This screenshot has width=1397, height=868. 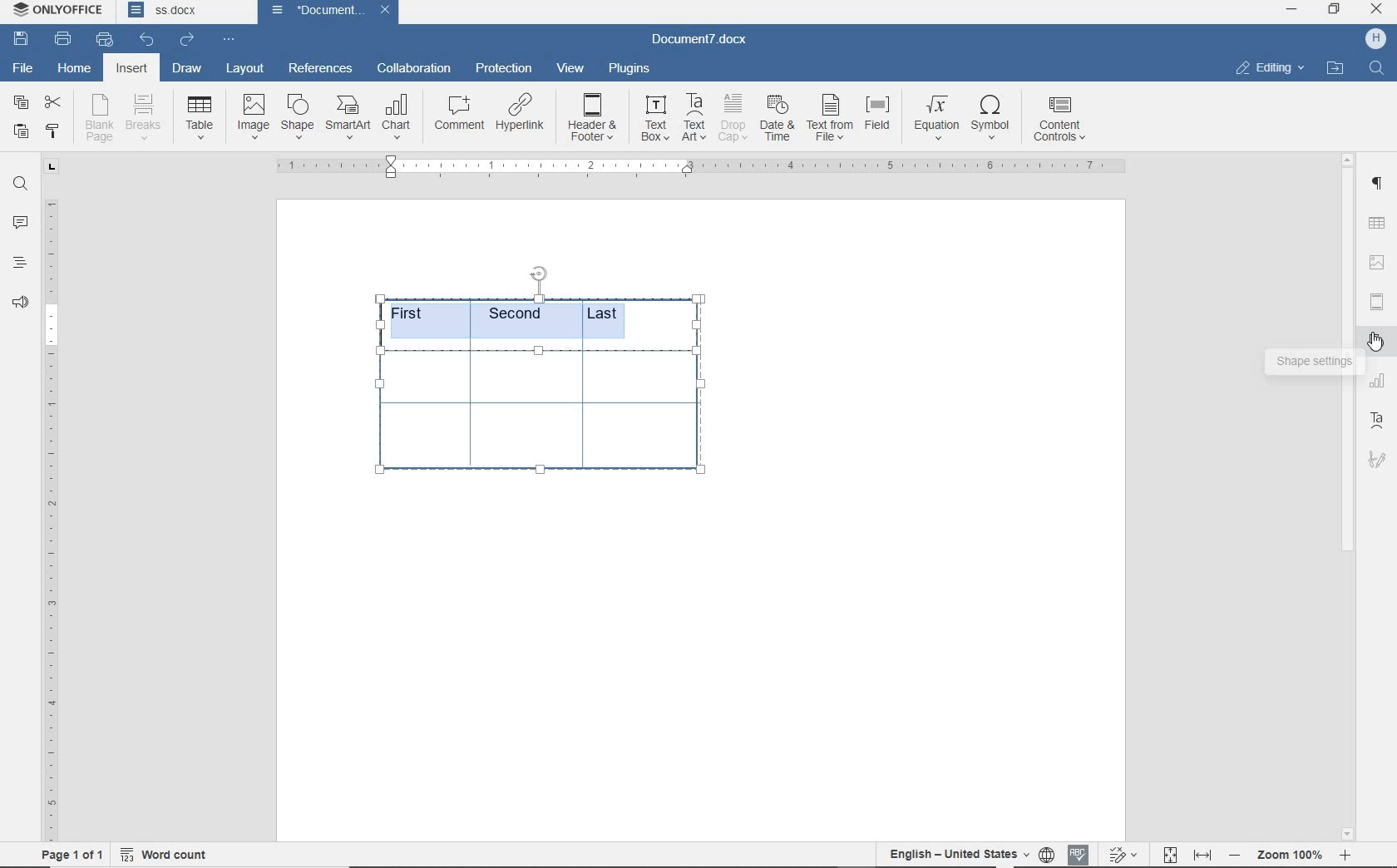 I want to click on cut, so click(x=53, y=104).